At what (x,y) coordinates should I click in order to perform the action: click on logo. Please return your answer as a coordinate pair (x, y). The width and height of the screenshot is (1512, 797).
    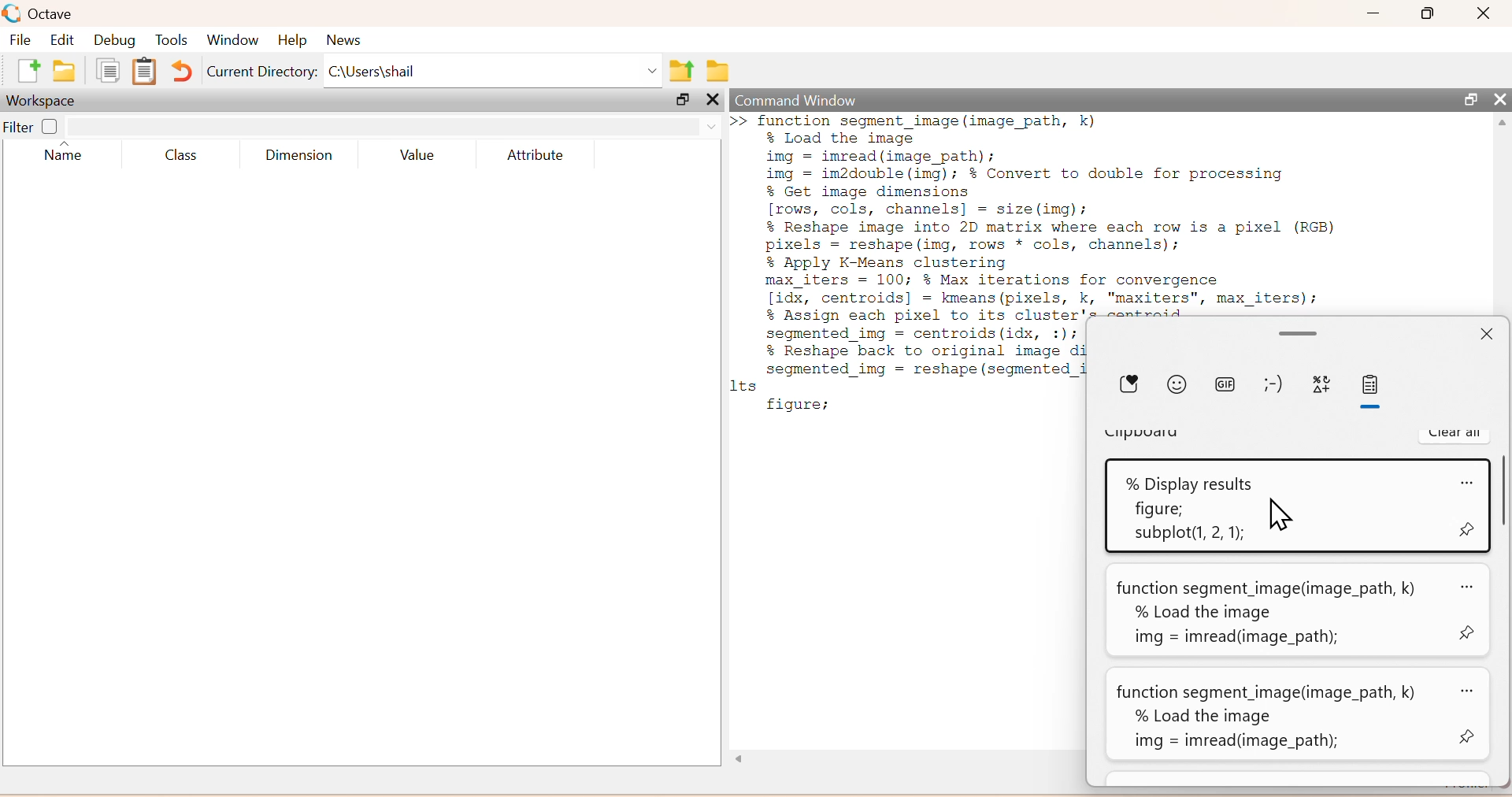
    Looking at the image, I should click on (13, 13).